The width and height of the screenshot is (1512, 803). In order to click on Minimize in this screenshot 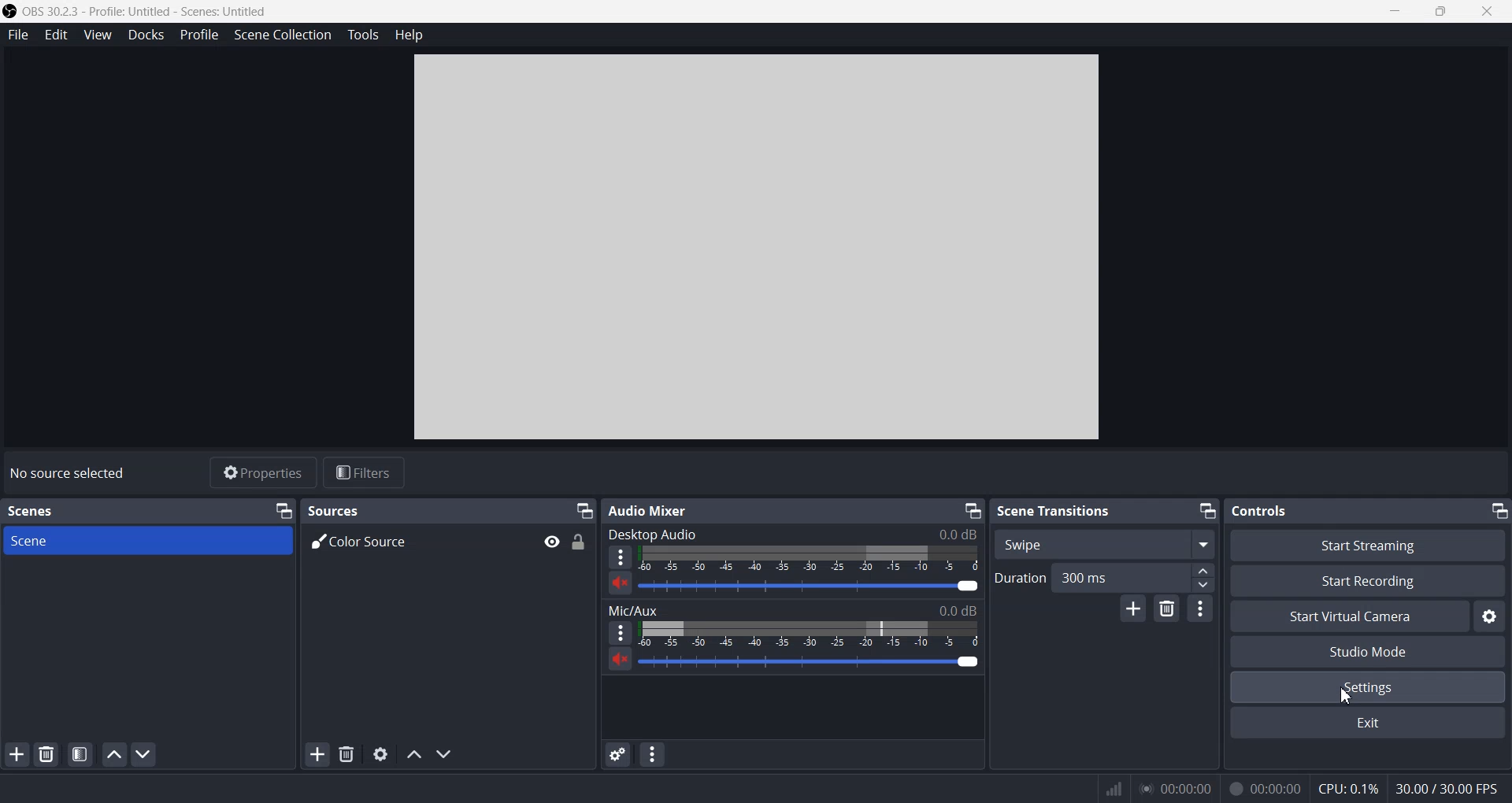, I will do `click(283, 509)`.